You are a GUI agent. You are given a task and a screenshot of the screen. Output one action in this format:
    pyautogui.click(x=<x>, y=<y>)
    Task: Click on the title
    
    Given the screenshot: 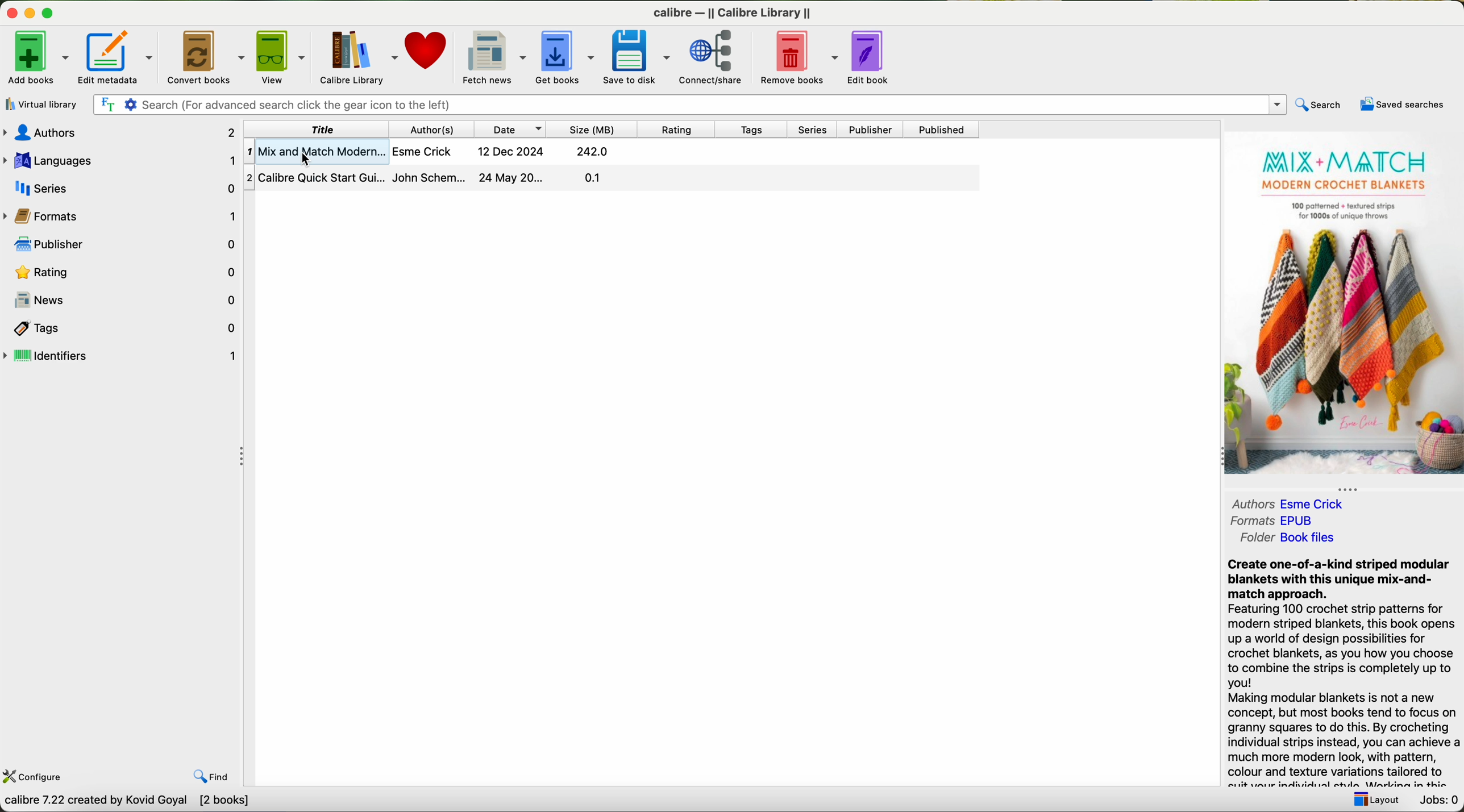 What is the action you would take?
    pyautogui.click(x=318, y=129)
    